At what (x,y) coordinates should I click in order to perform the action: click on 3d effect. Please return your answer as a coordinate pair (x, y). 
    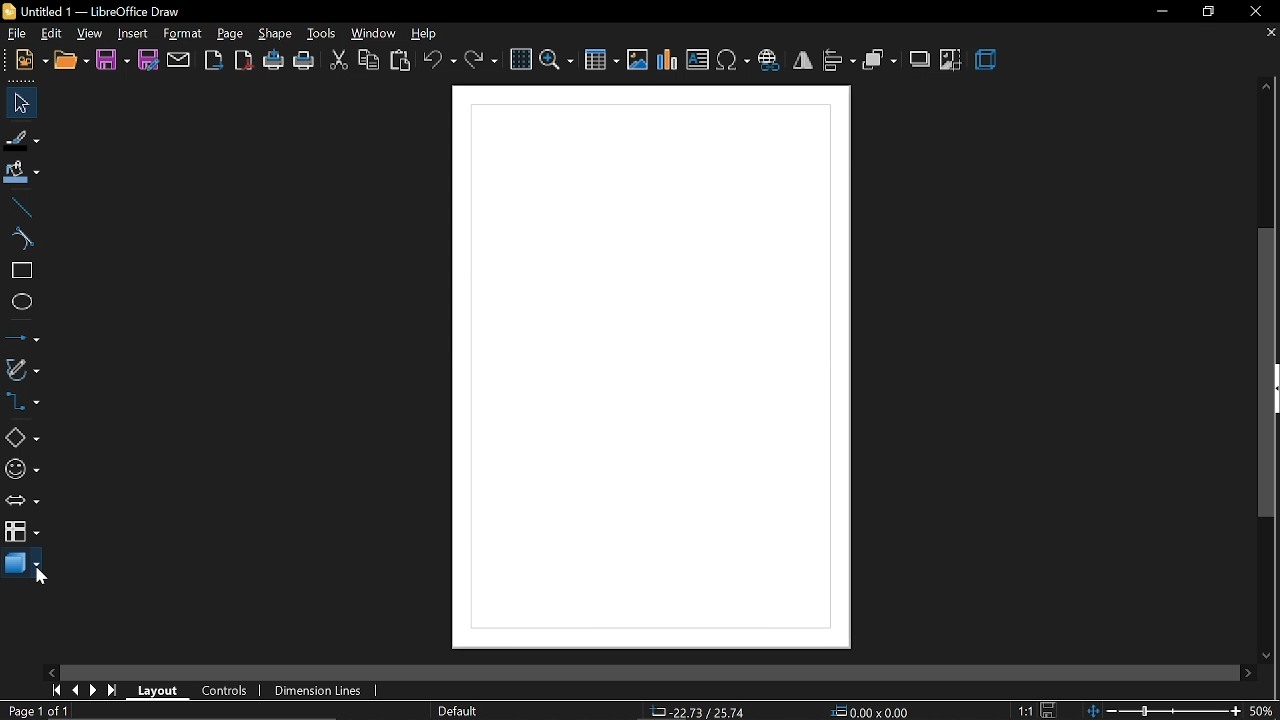
    Looking at the image, I should click on (987, 60).